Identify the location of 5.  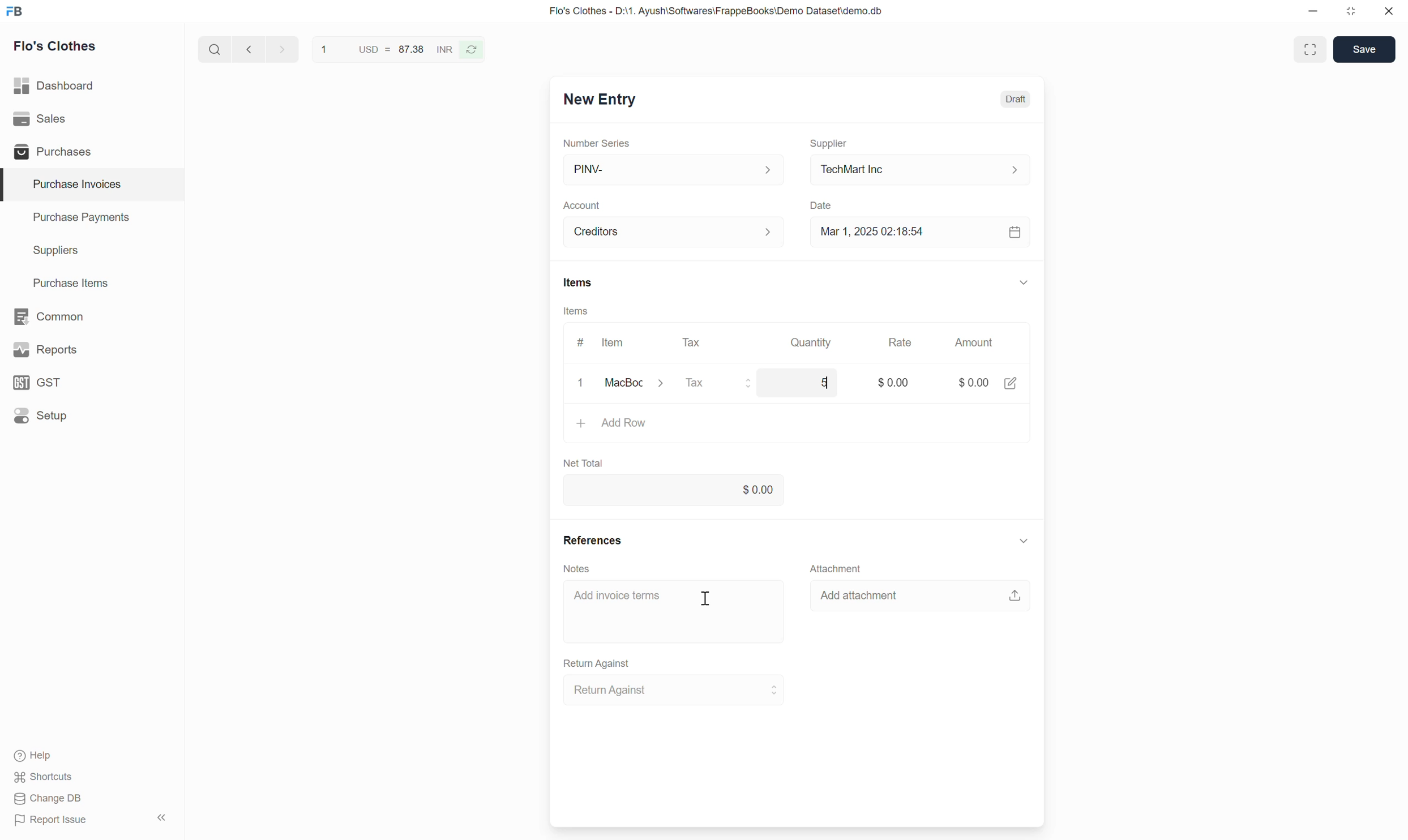
(824, 383).